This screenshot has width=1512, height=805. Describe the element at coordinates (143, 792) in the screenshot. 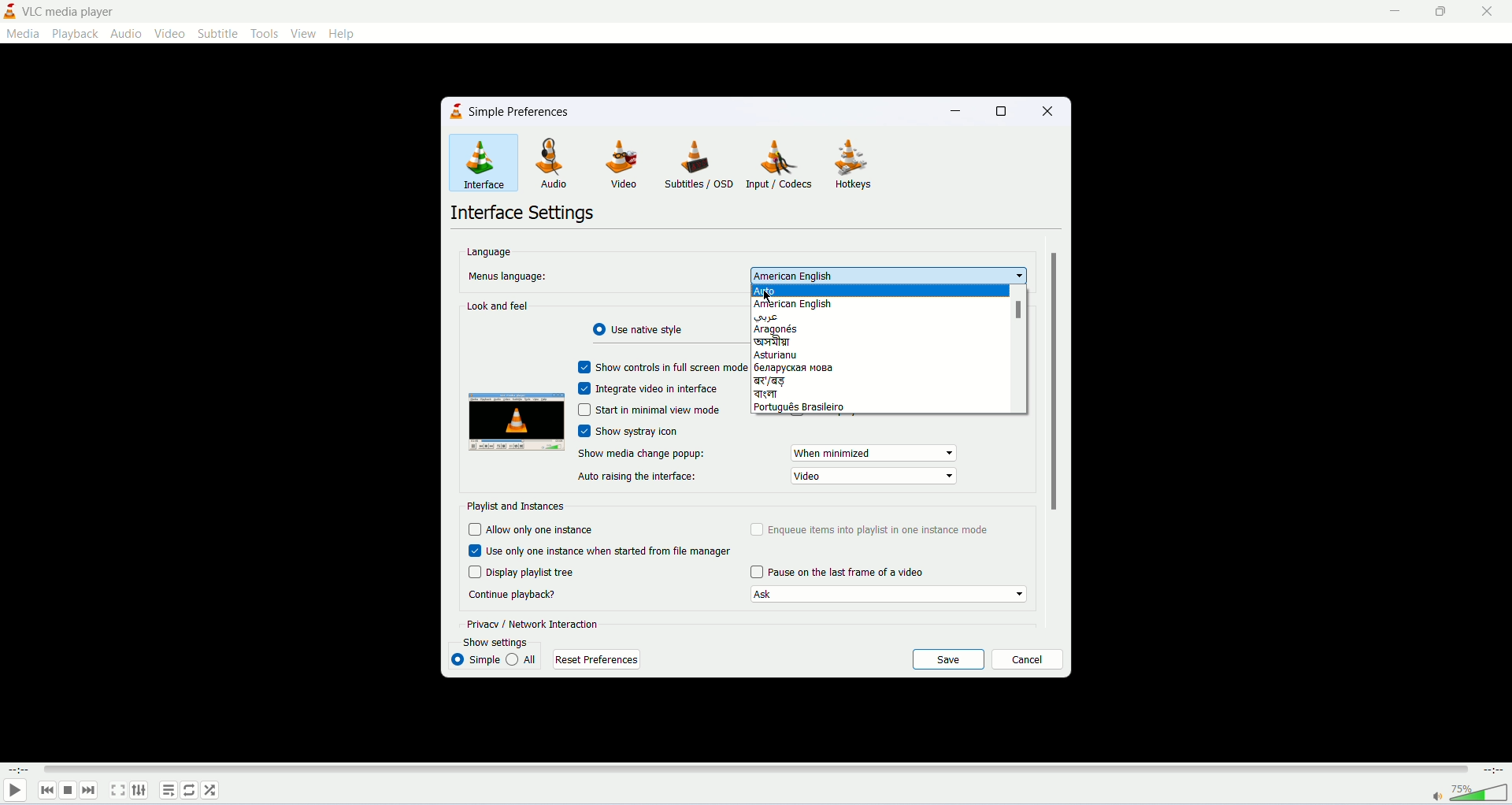

I see `extended settings` at that location.